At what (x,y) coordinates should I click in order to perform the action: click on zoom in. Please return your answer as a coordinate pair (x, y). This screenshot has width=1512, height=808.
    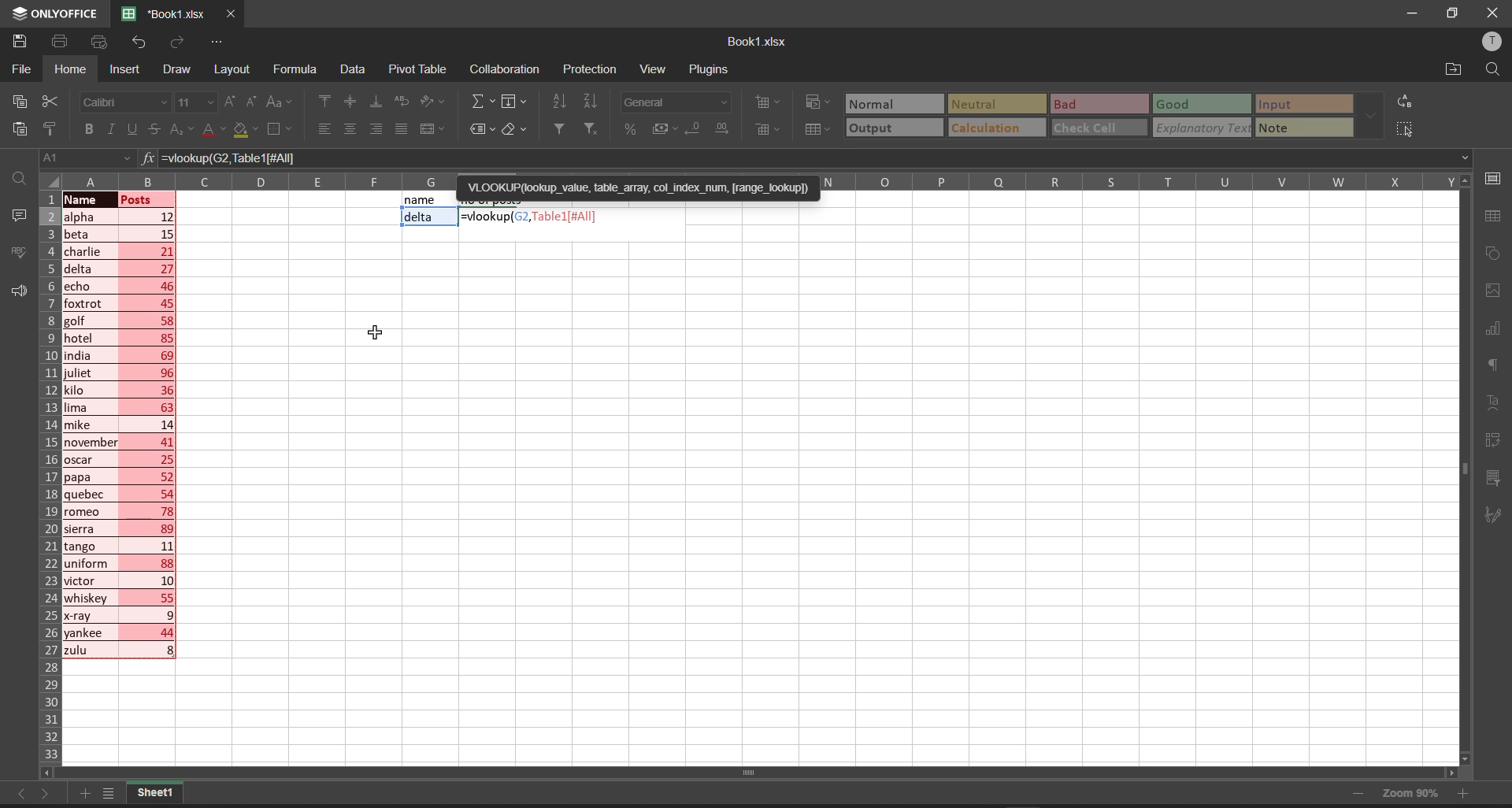
    Looking at the image, I should click on (1466, 795).